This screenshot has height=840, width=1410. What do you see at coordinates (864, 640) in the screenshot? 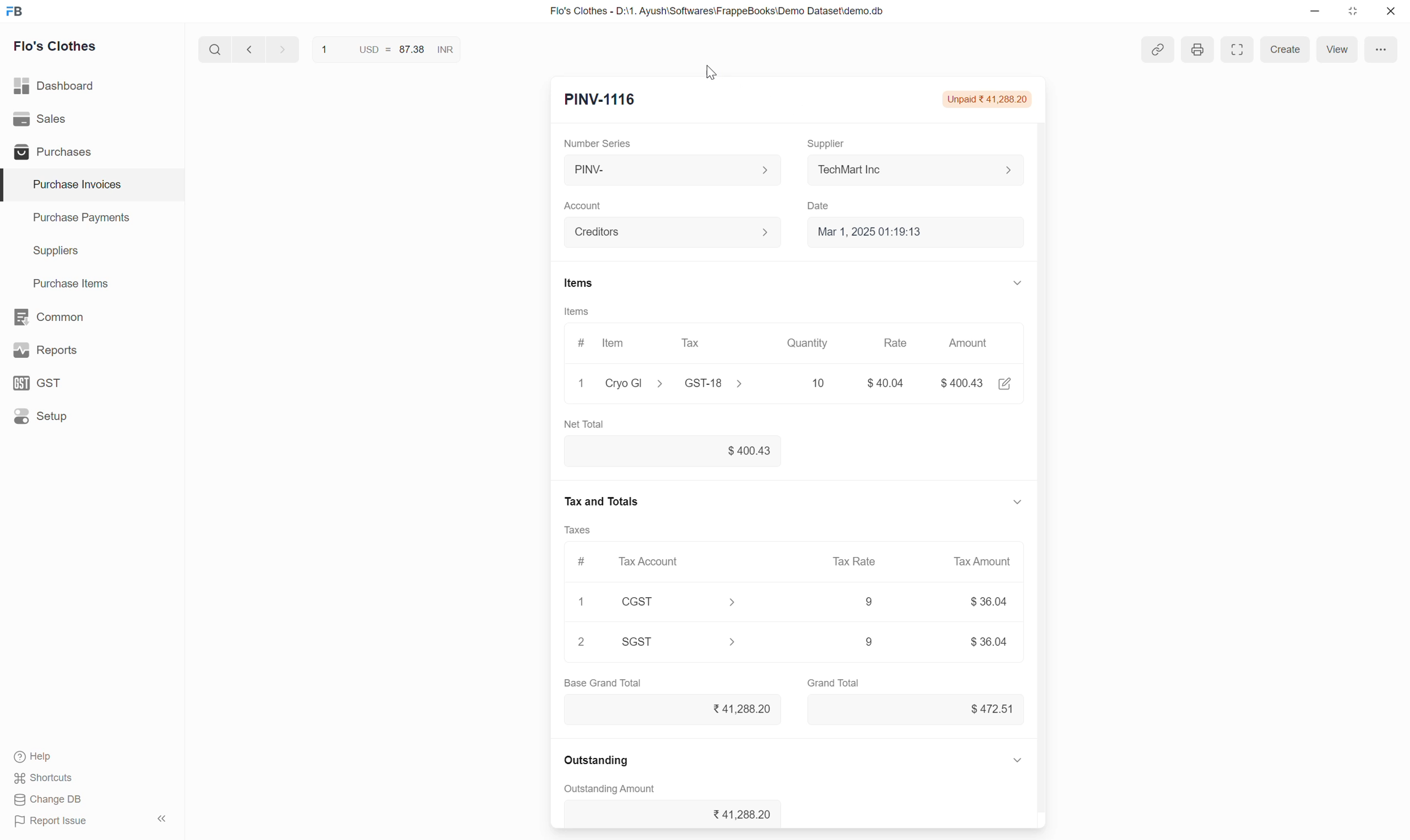
I see `9` at bounding box center [864, 640].